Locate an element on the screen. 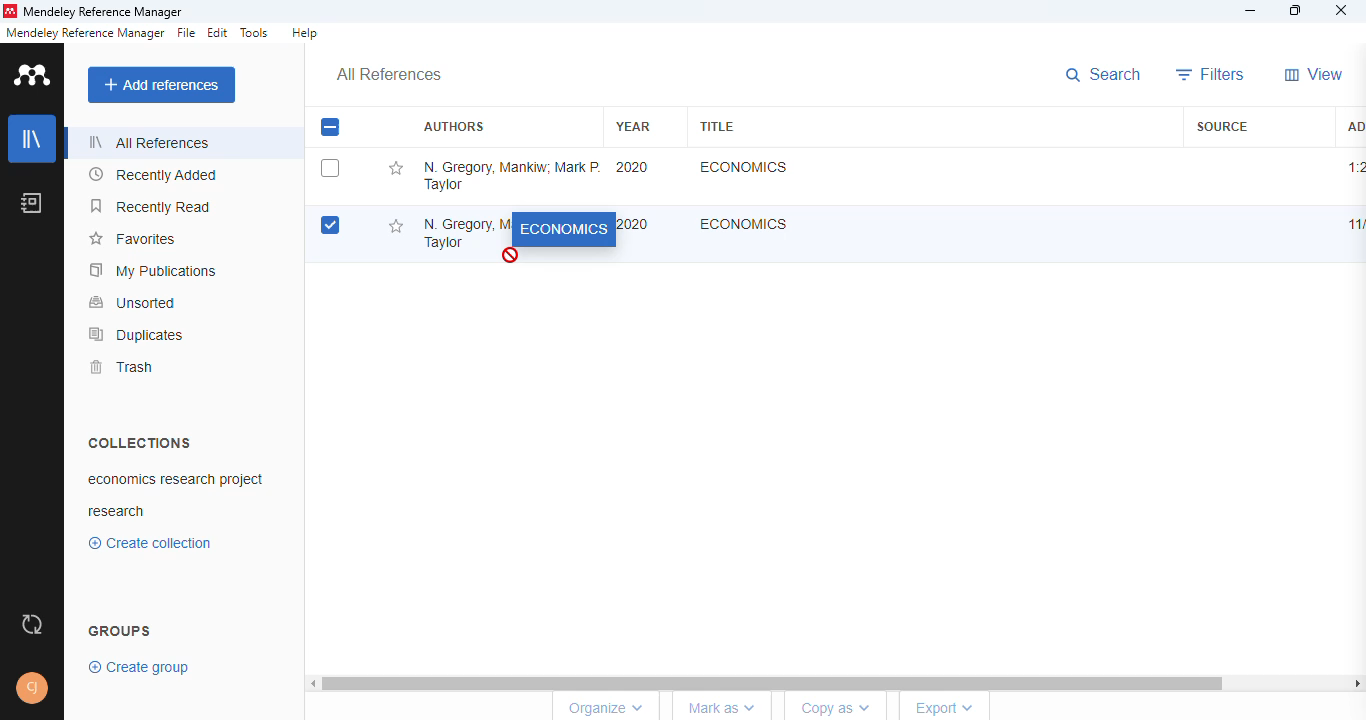  mark as is located at coordinates (723, 709).